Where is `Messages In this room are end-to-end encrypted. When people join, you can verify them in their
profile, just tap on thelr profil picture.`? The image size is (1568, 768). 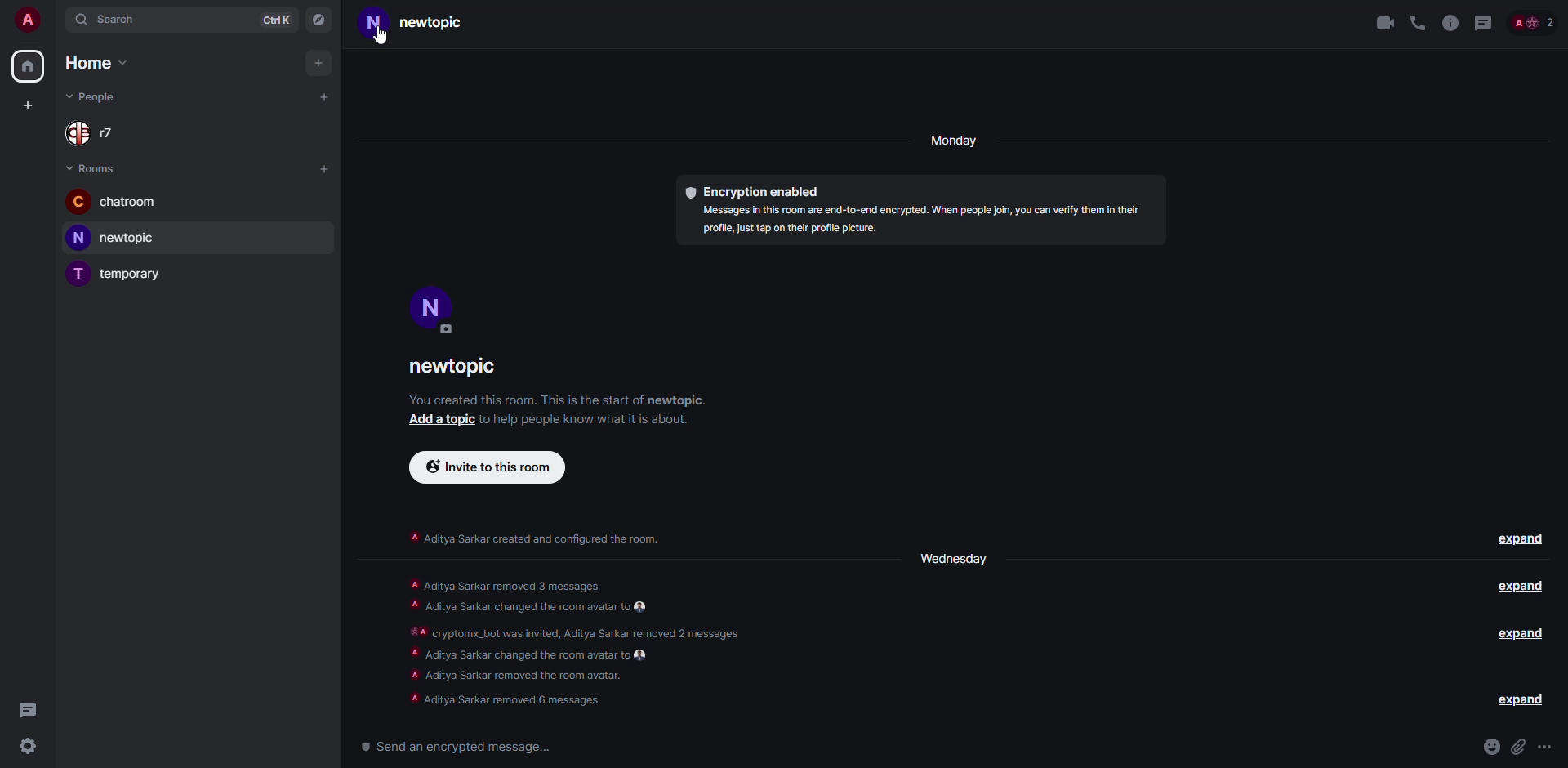
Messages In this room are end-to-end encrypted. When people join, you can verify them in their
profile, just tap on thelr profil picture. is located at coordinates (916, 221).